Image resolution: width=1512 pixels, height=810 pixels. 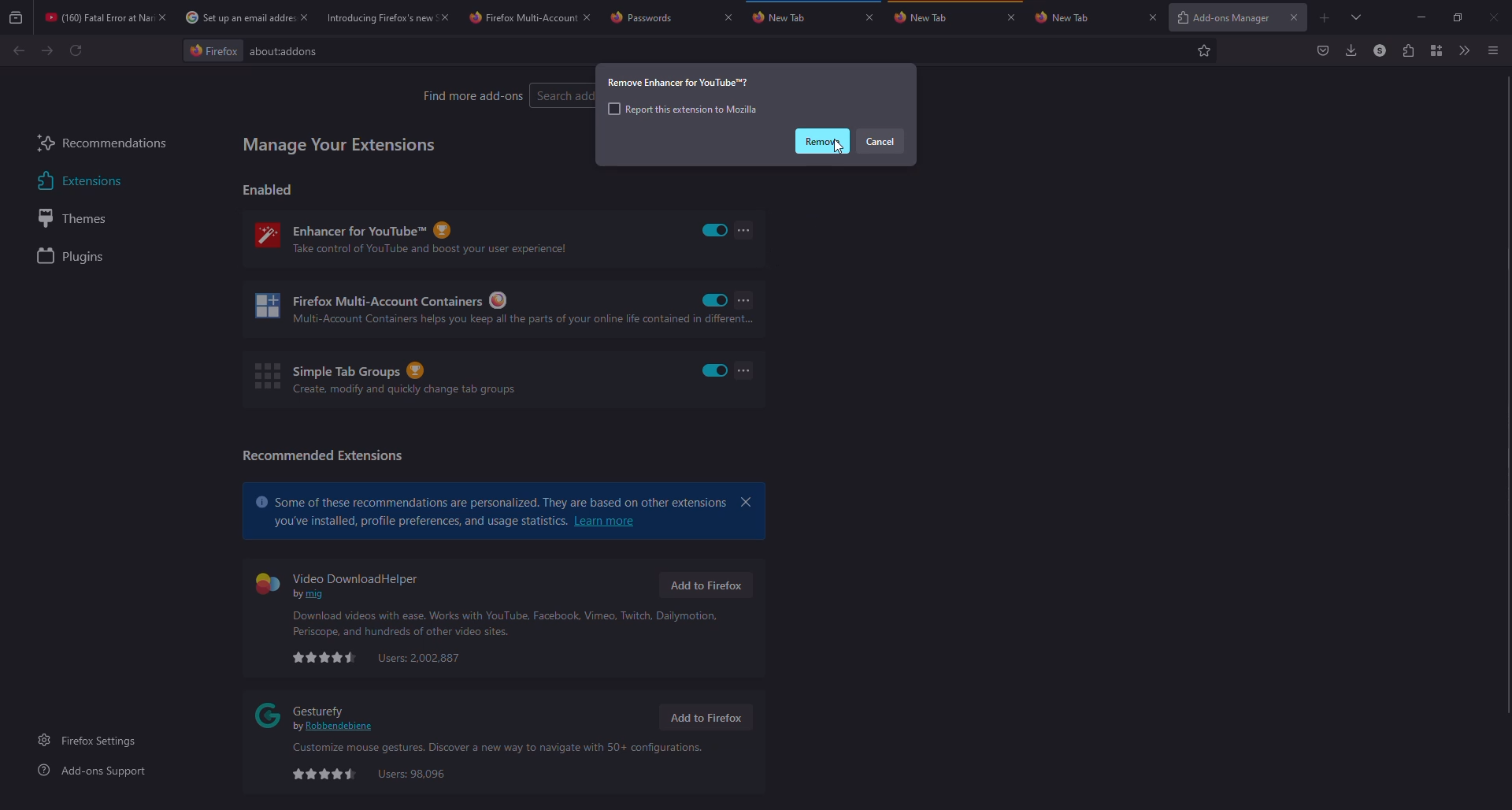 What do you see at coordinates (79, 218) in the screenshot?
I see `themes` at bounding box center [79, 218].